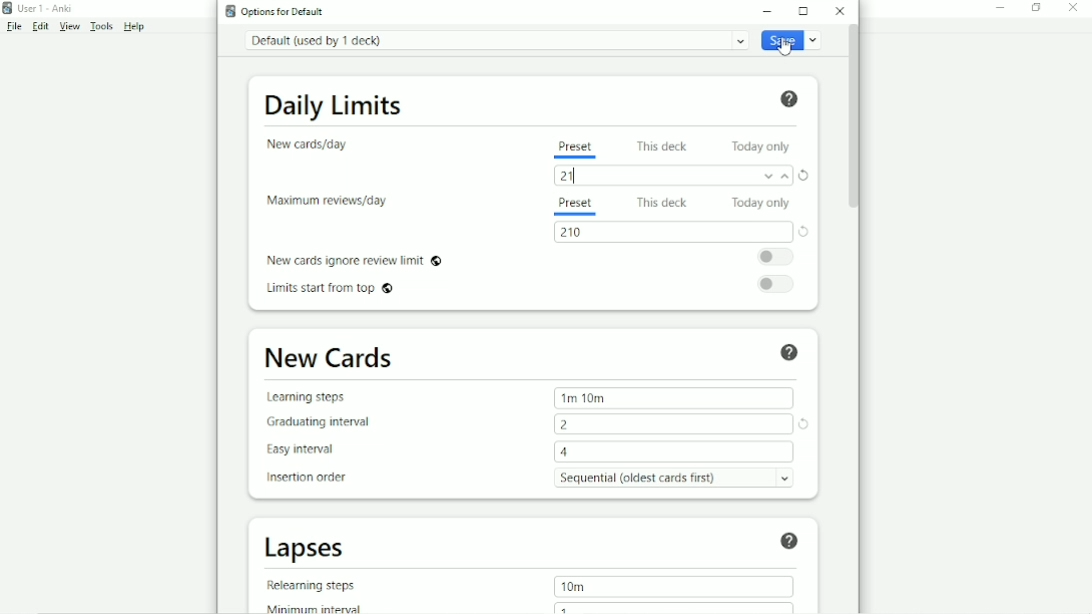  I want to click on Edit, so click(40, 26).